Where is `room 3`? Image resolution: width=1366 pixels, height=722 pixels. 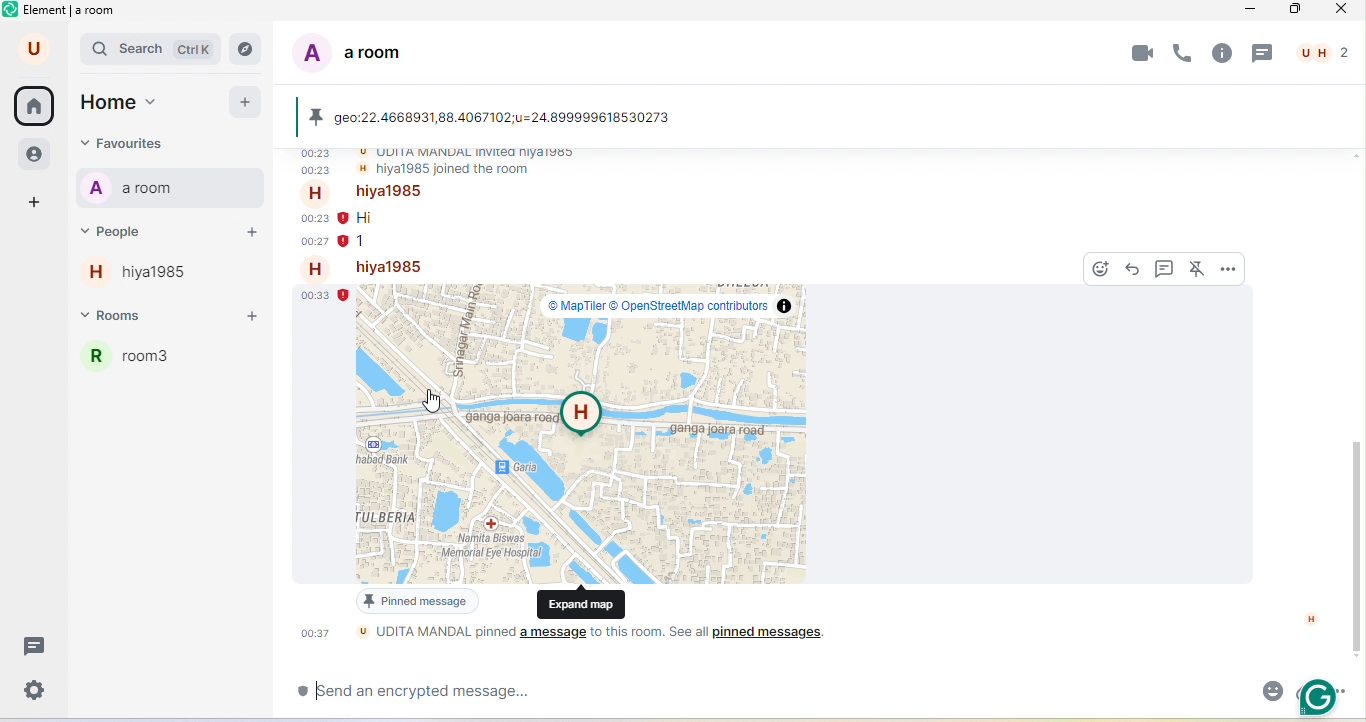 room 3 is located at coordinates (175, 365).